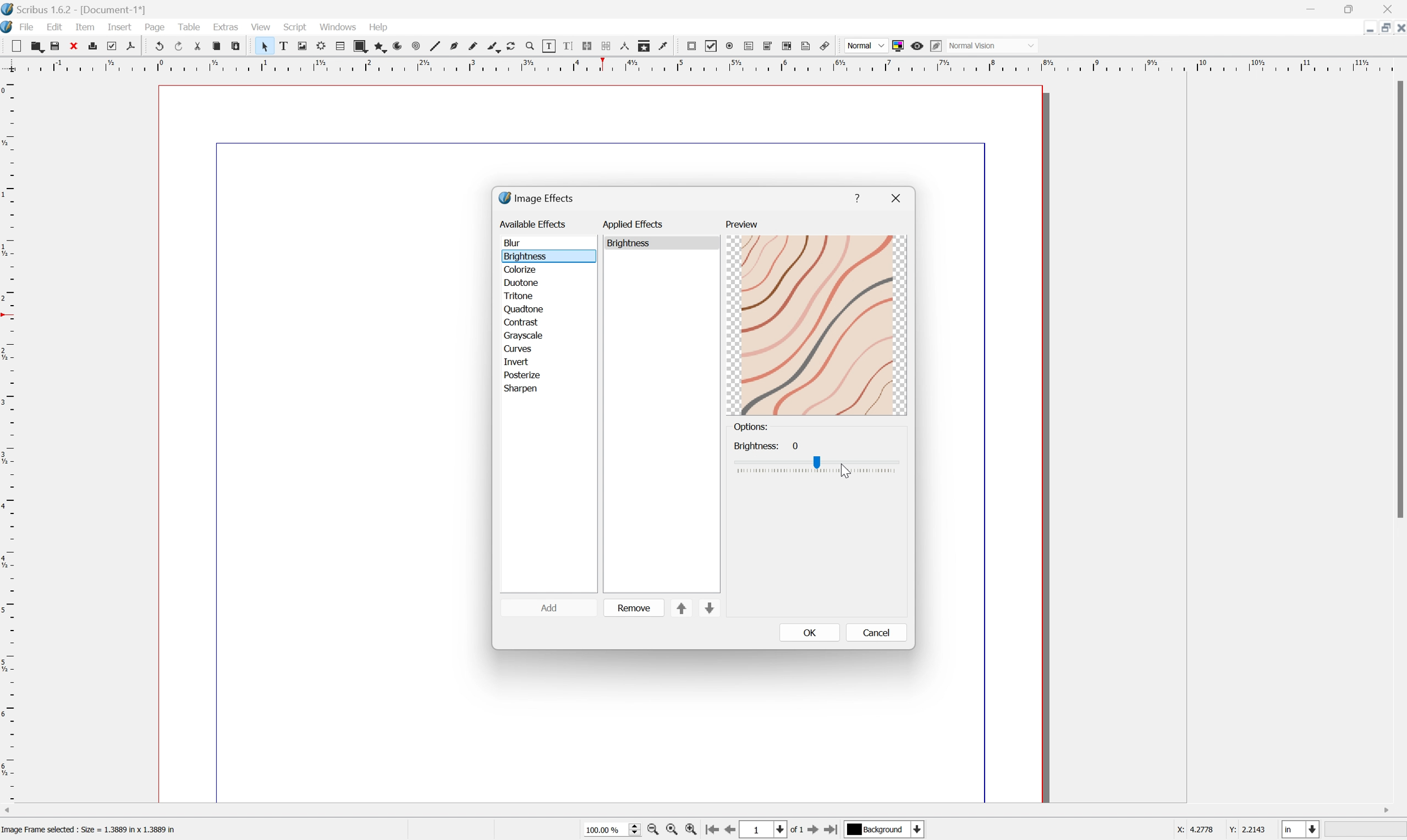 This screenshot has height=840, width=1407. What do you see at coordinates (702, 68) in the screenshot?
I see `Horizontal Margin` at bounding box center [702, 68].